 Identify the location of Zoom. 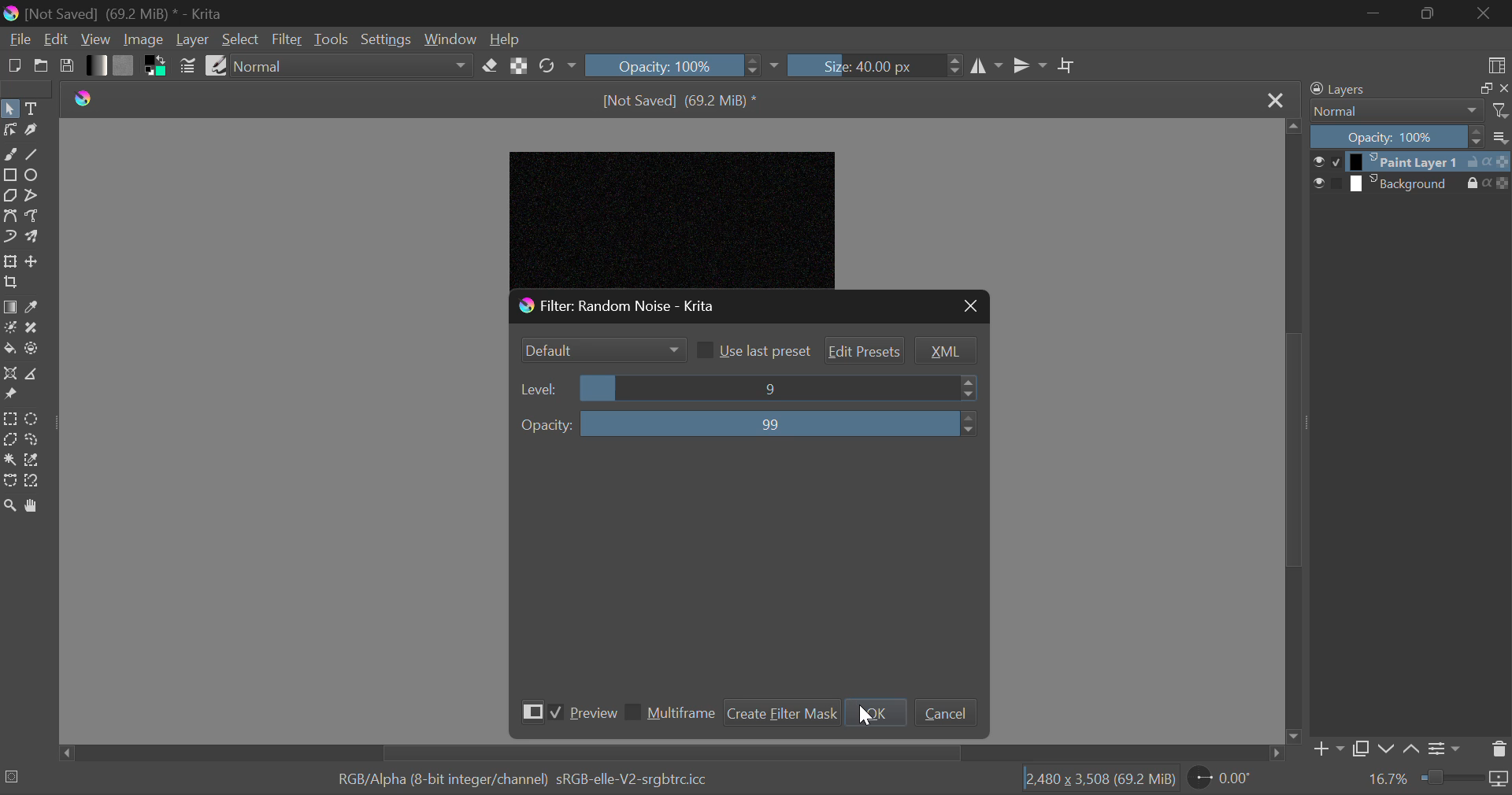
(1438, 781).